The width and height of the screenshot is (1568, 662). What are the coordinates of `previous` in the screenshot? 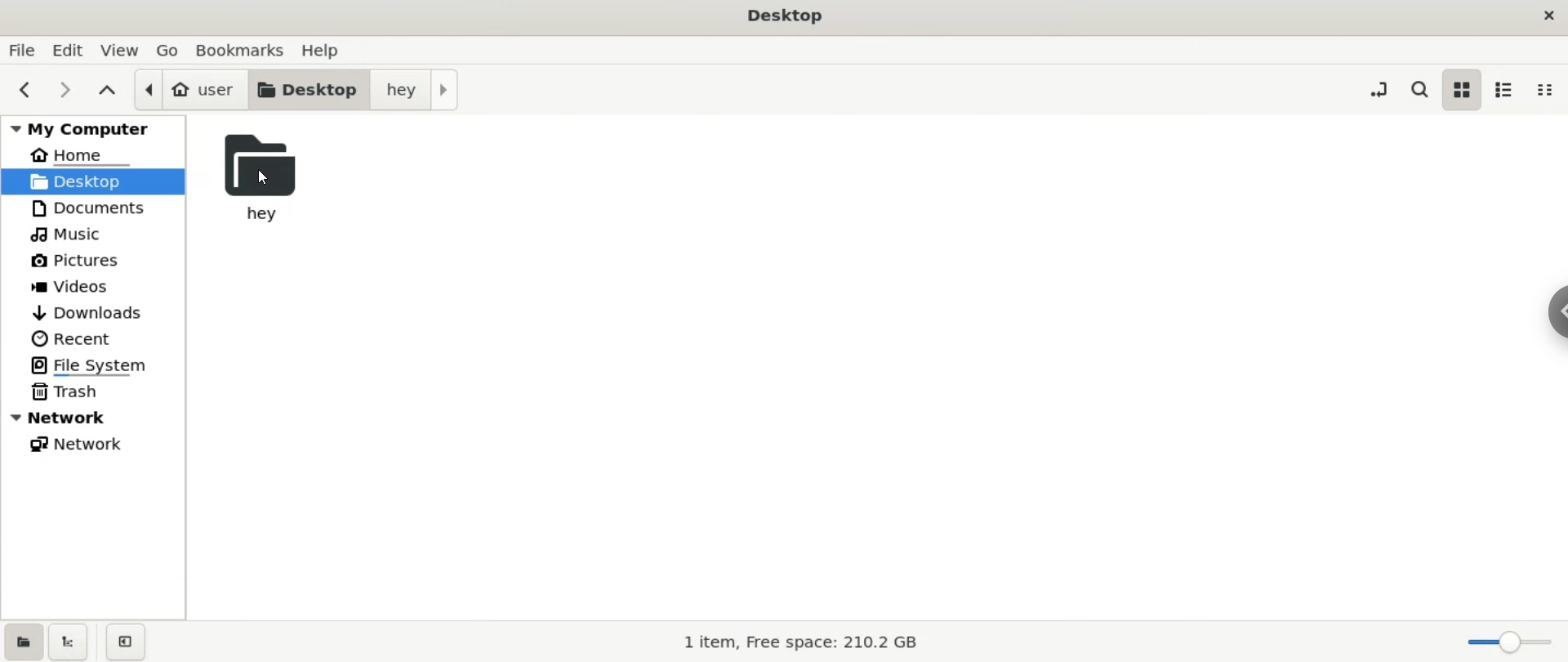 It's located at (24, 91).